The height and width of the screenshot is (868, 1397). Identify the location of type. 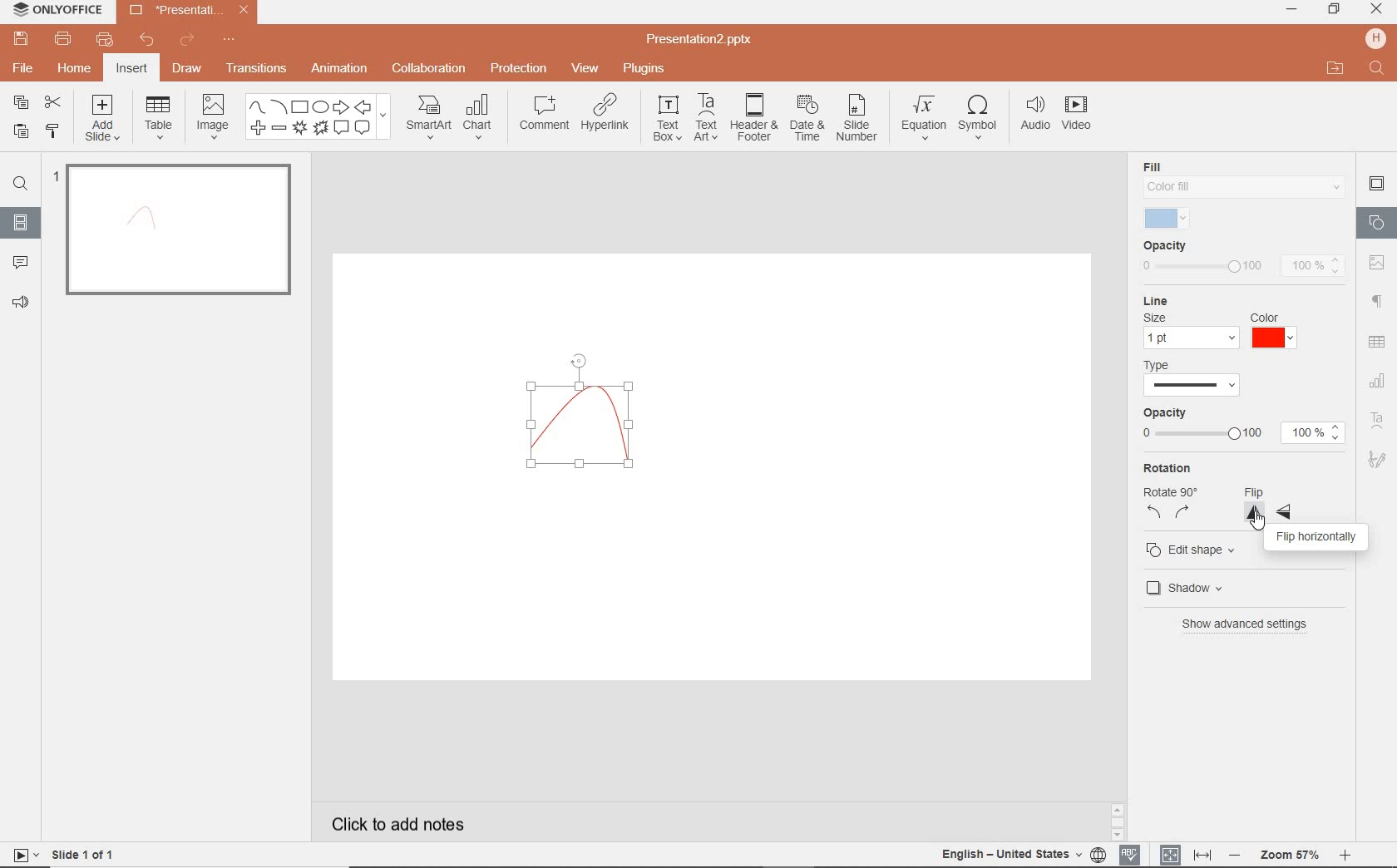
(1197, 376).